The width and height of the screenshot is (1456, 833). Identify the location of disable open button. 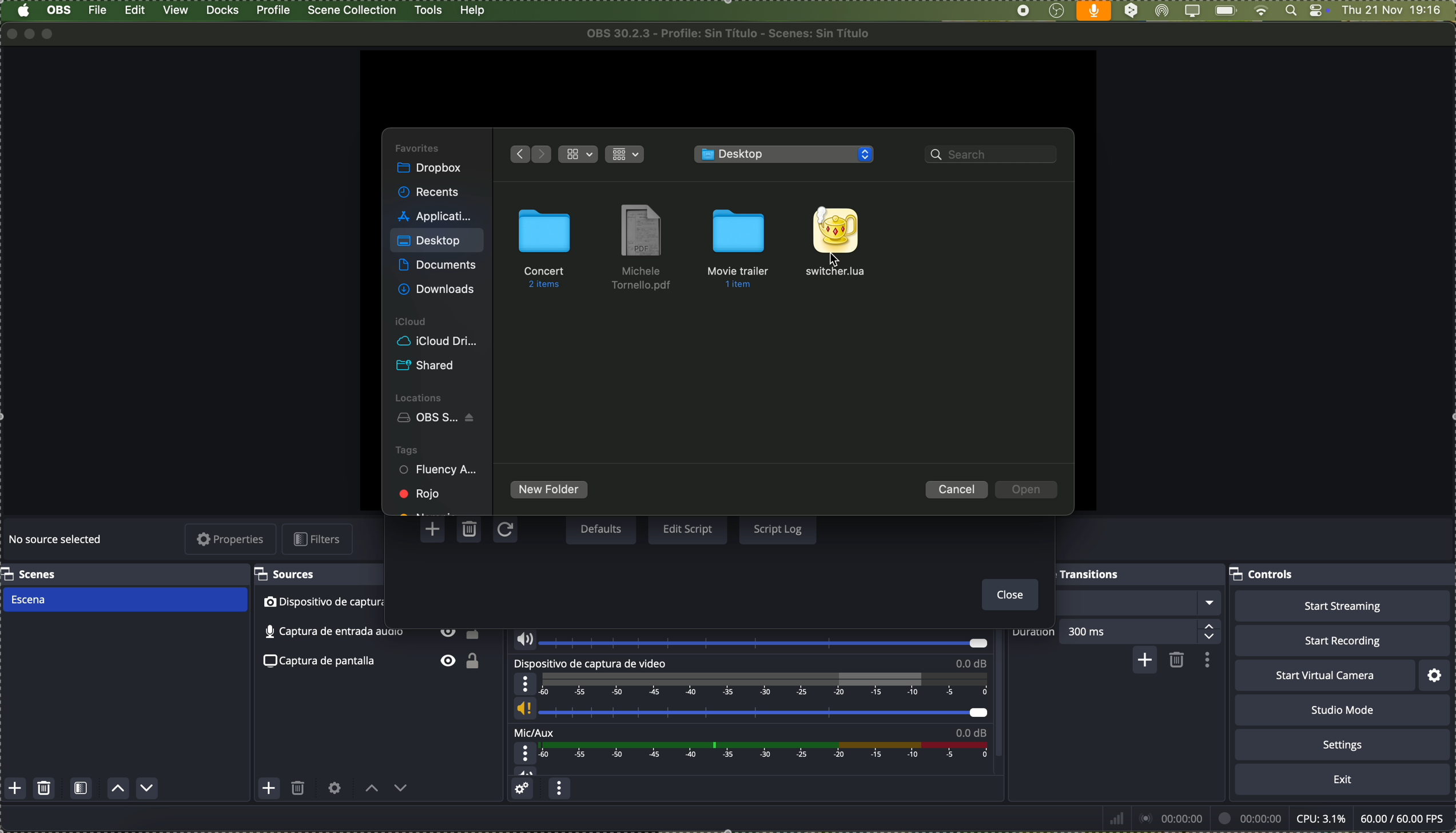
(1027, 490).